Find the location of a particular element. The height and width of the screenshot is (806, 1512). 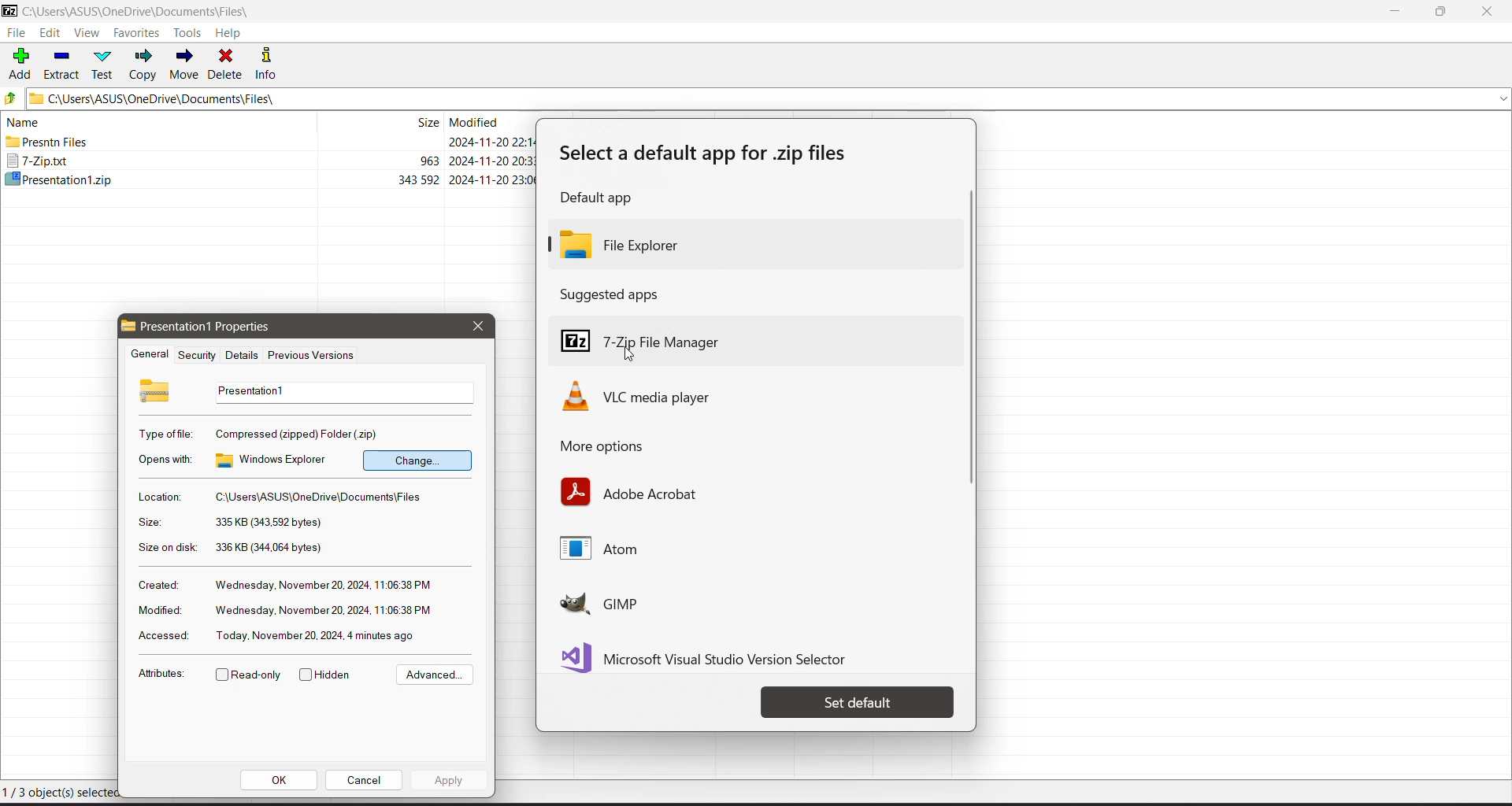

Close is located at coordinates (1490, 12).